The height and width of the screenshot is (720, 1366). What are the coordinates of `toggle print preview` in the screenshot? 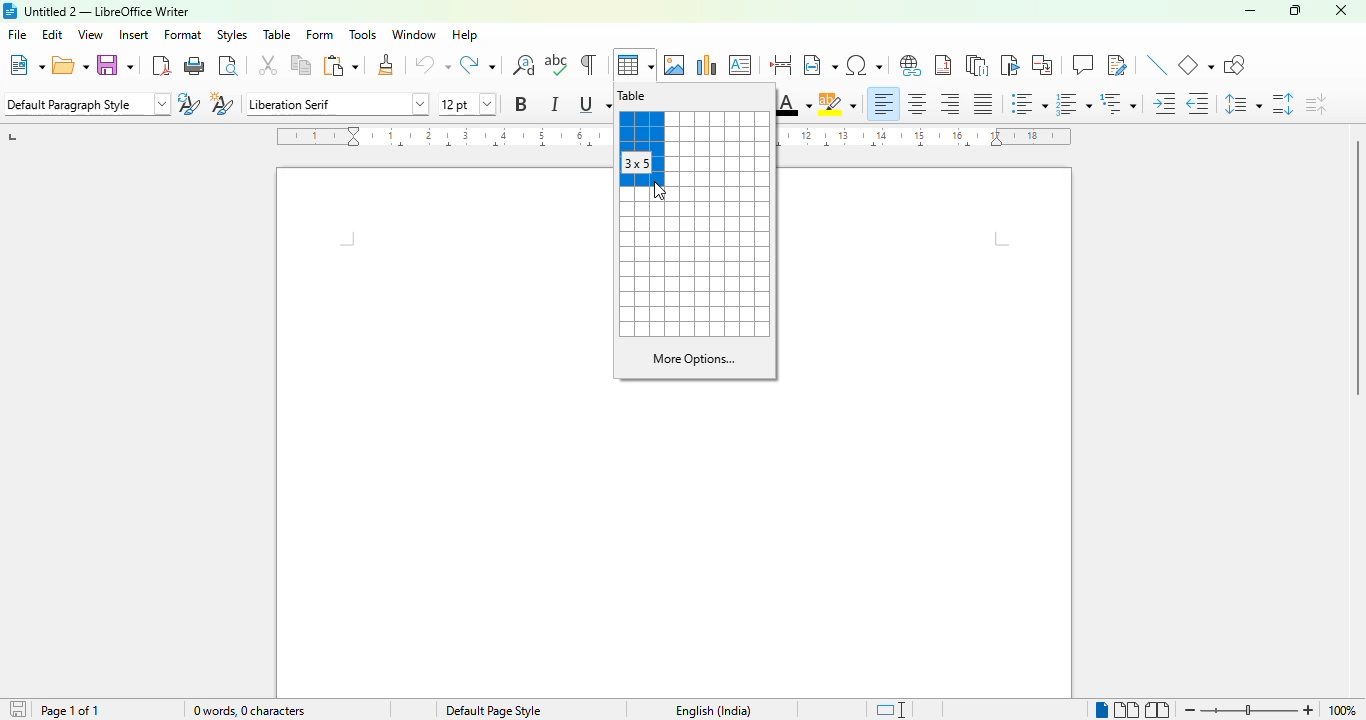 It's located at (230, 66).